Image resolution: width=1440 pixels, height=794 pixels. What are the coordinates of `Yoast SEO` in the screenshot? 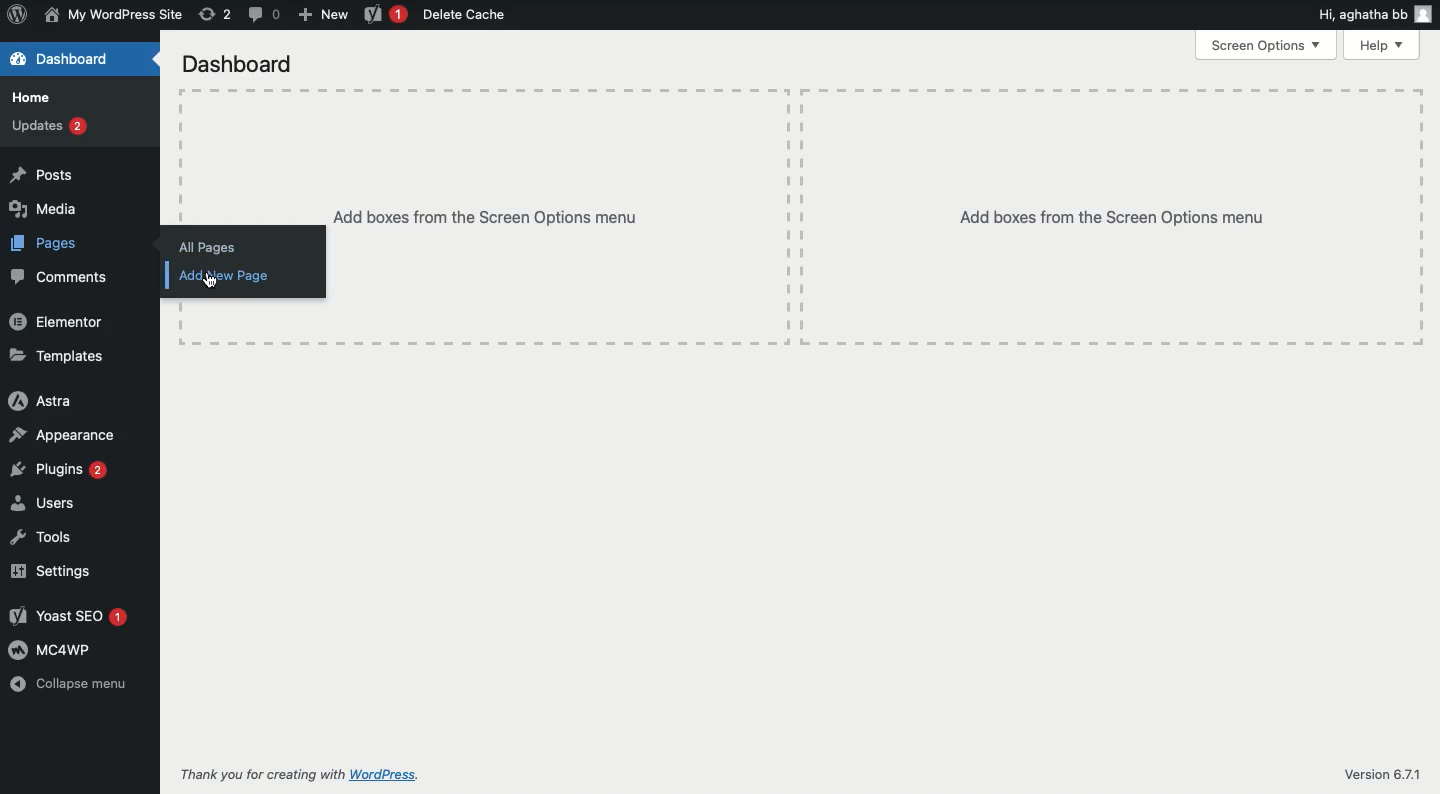 It's located at (71, 613).